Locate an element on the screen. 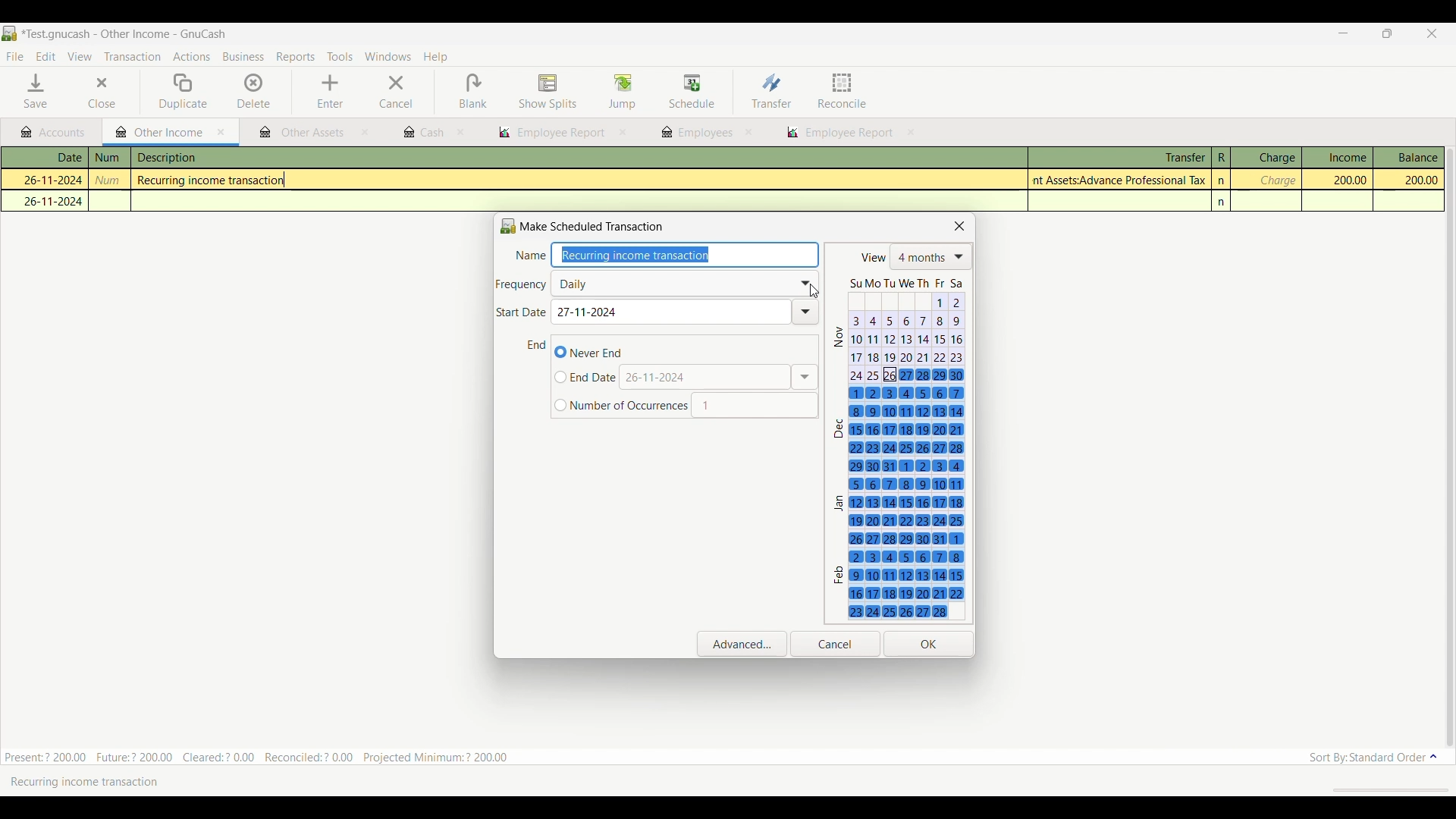 The height and width of the screenshot is (819, 1456). Indicates Start date of transaction is located at coordinates (522, 312).